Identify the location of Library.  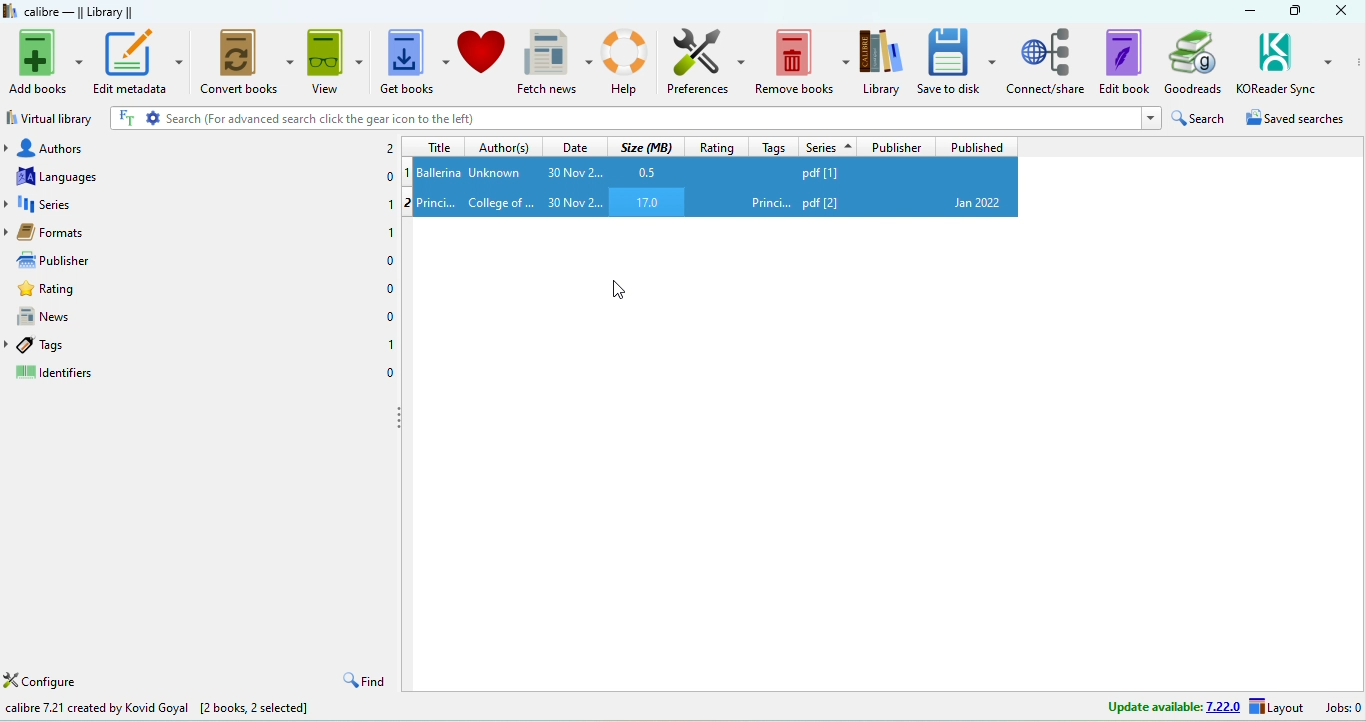
(882, 61).